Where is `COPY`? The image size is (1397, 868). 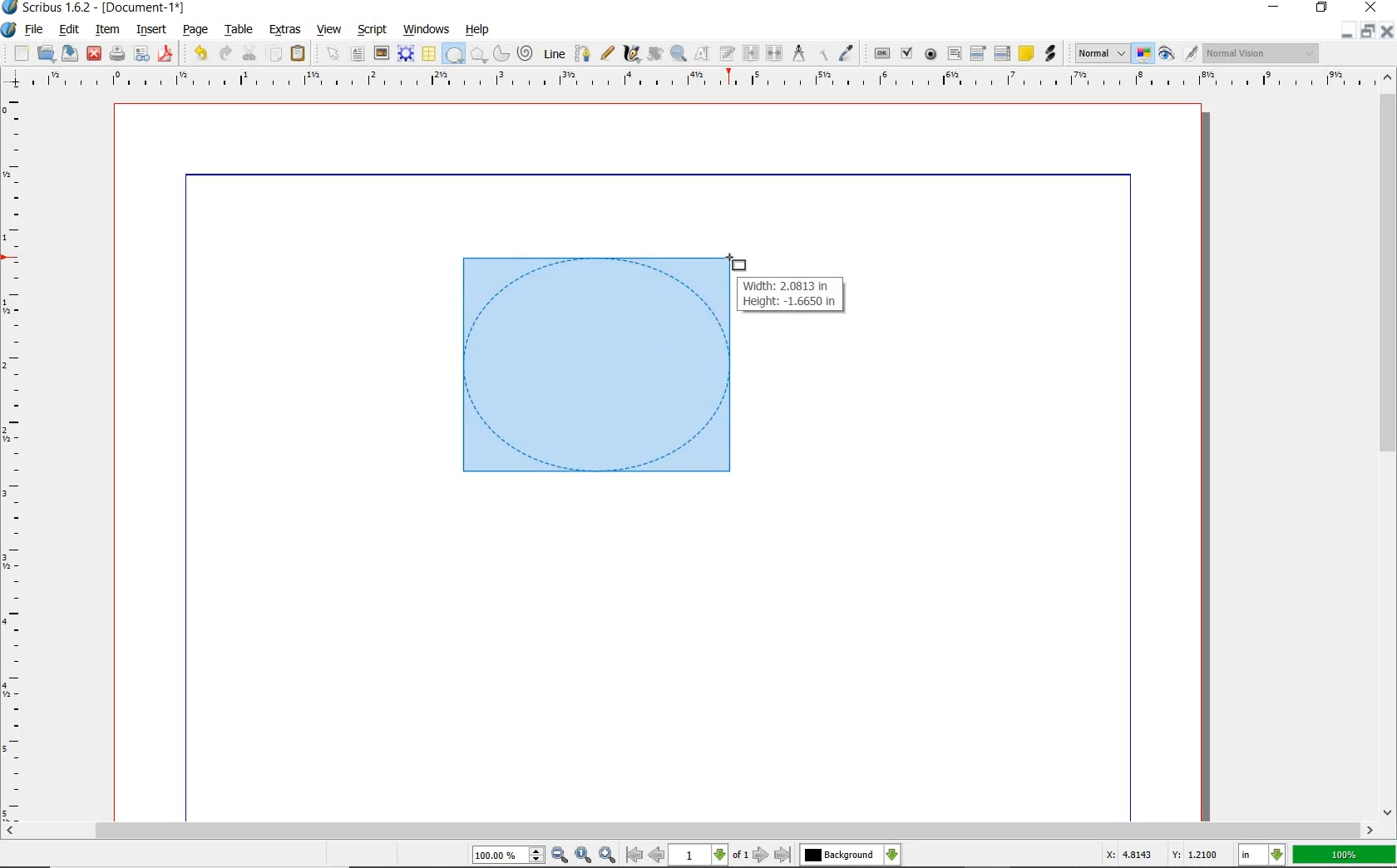
COPY is located at coordinates (276, 54).